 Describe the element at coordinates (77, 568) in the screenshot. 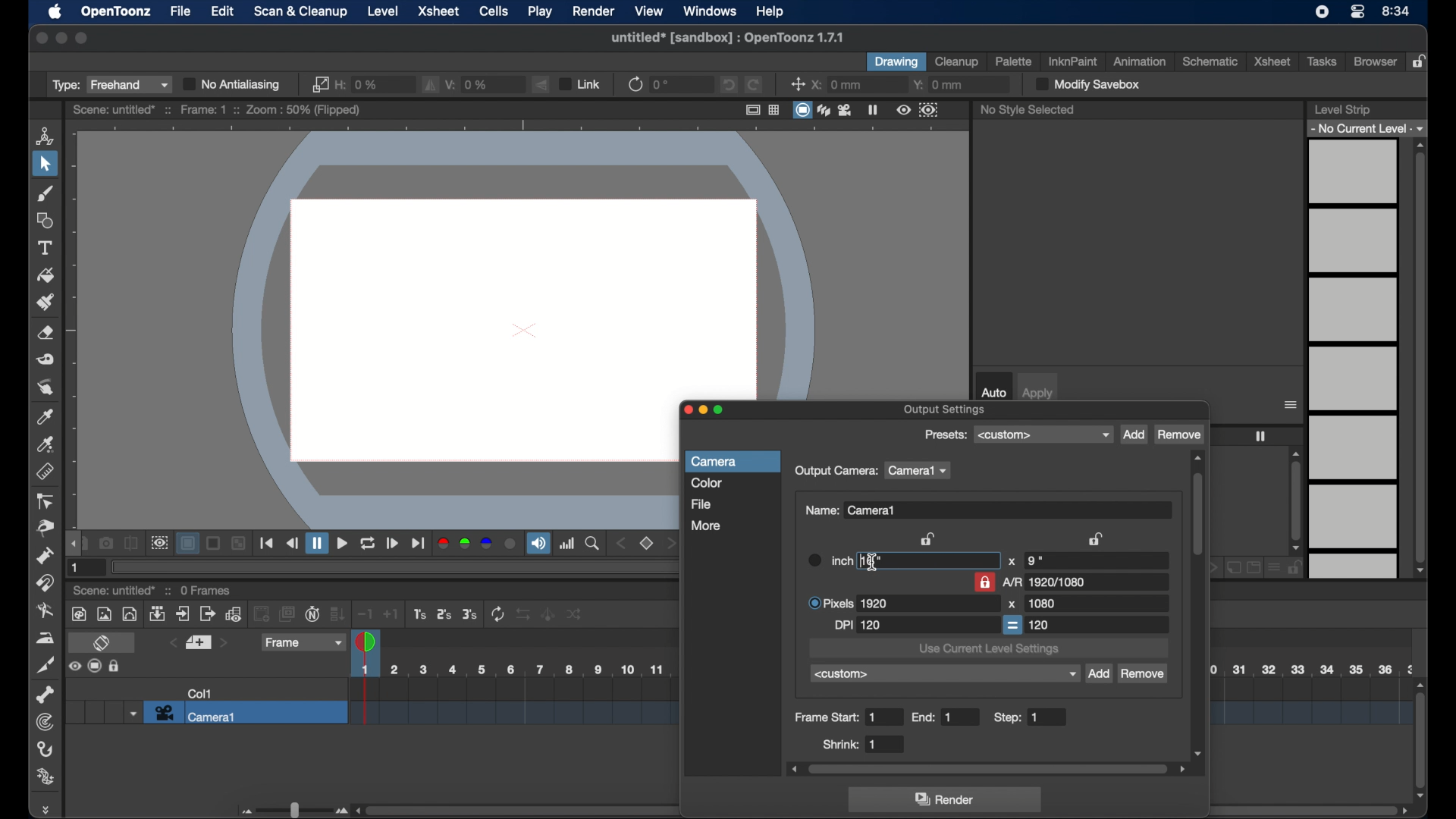

I see `1` at that location.